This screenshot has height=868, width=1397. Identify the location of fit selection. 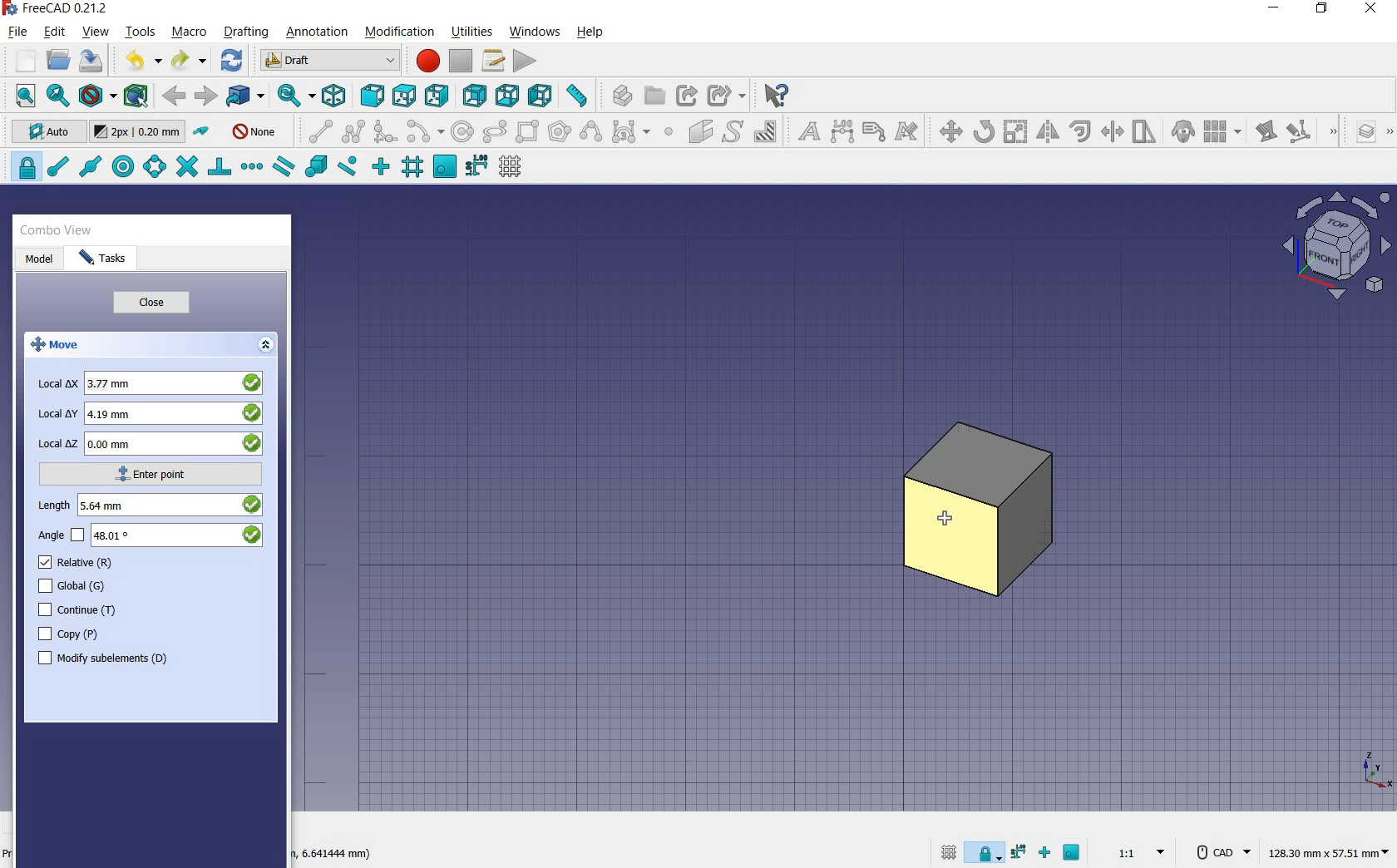
(57, 95).